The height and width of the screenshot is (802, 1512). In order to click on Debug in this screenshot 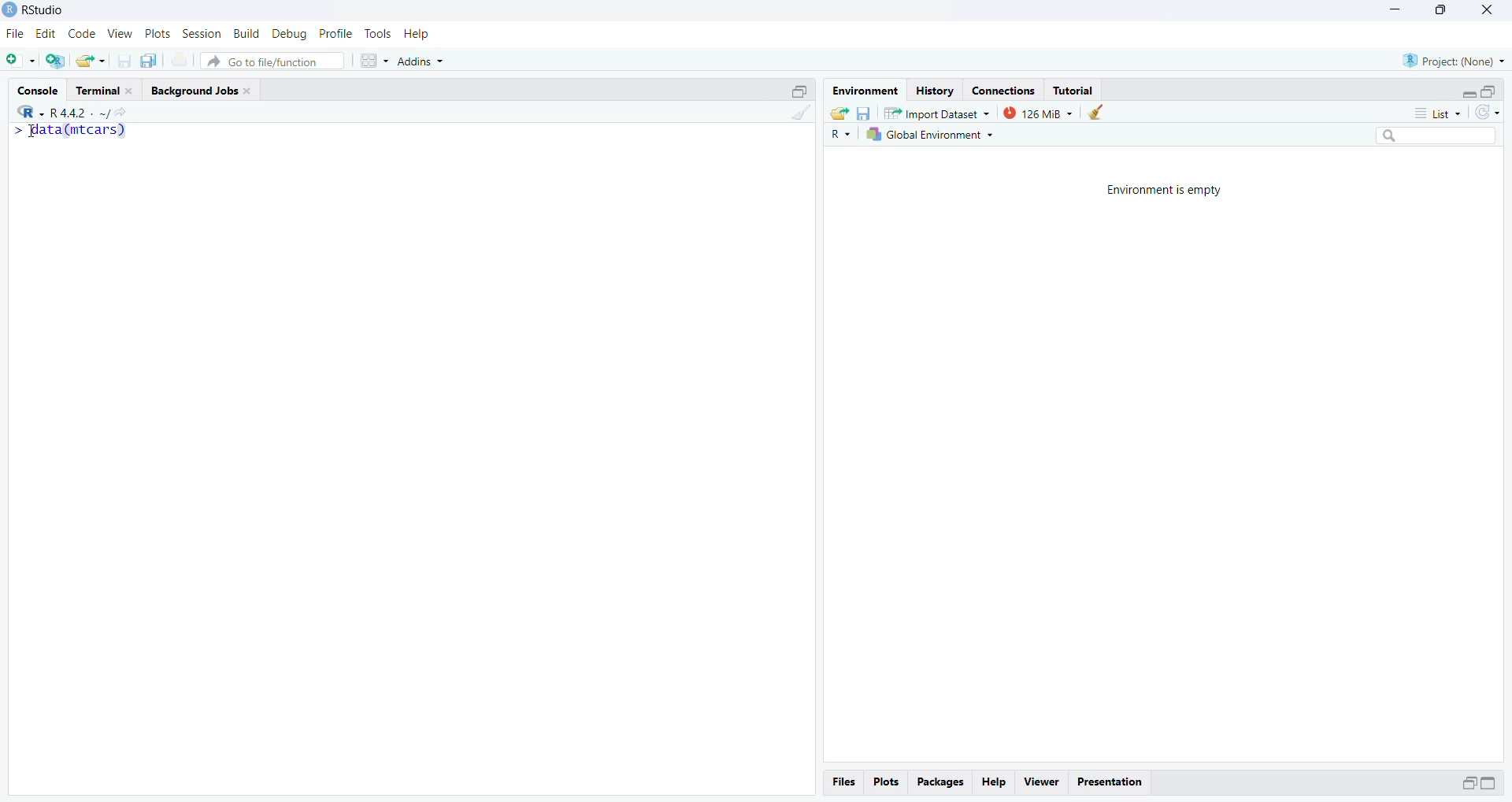, I will do `click(291, 34)`.